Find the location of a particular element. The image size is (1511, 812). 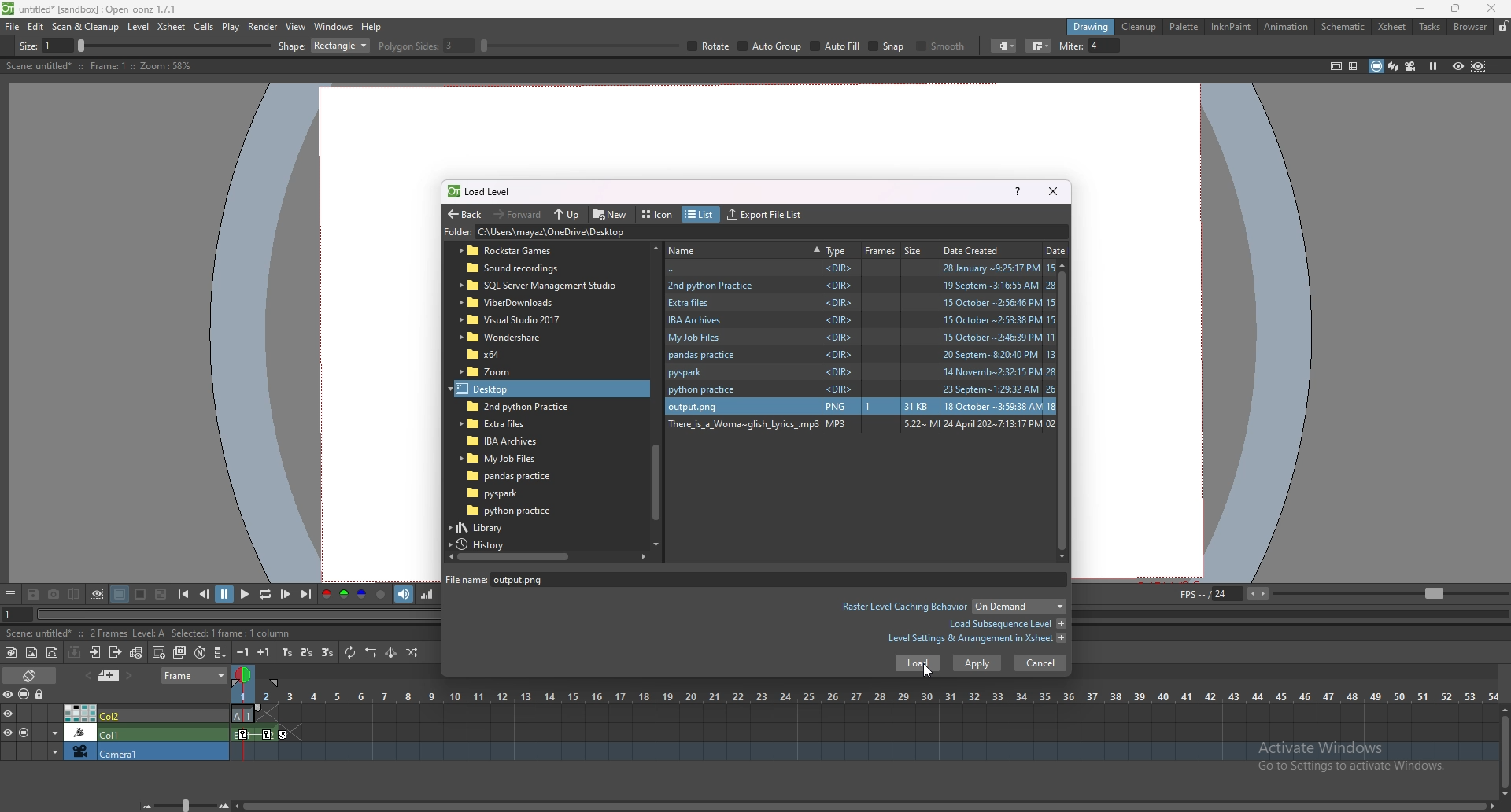

random is located at coordinates (412, 652).